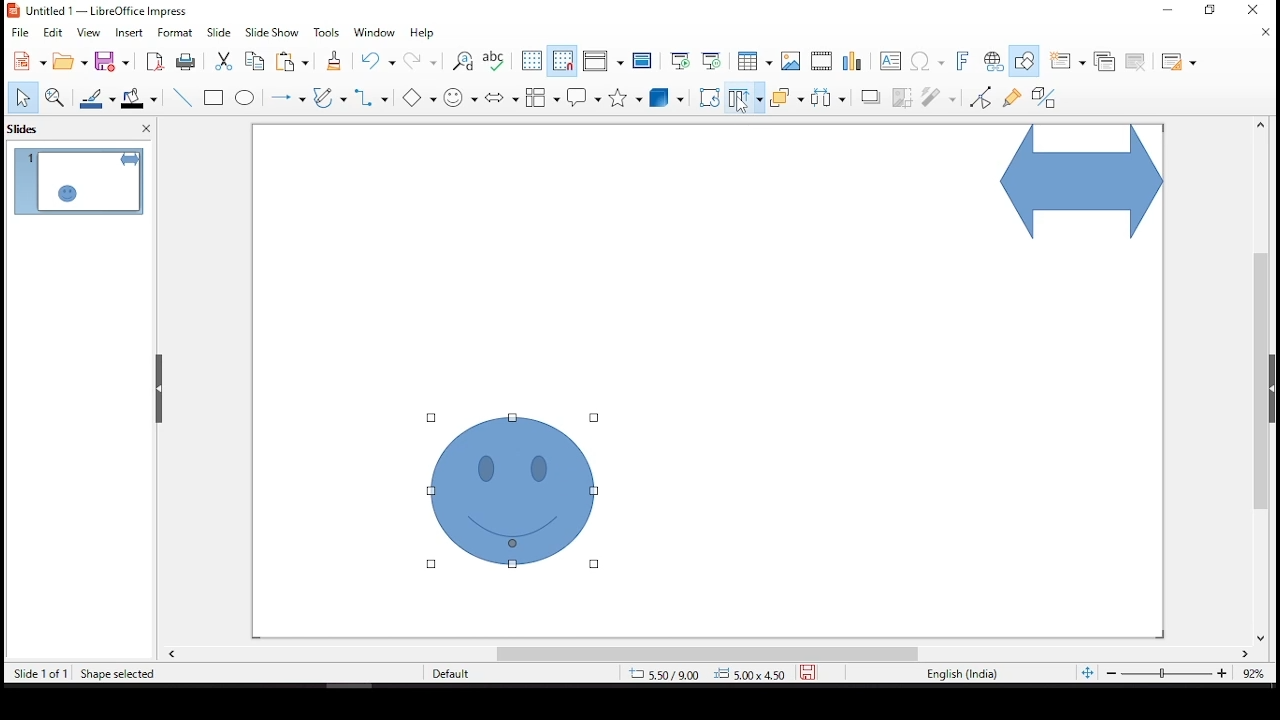  What do you see at coordinates (603, 62) in the screenshot?
I see `display views` at bounding box center [603, 62].